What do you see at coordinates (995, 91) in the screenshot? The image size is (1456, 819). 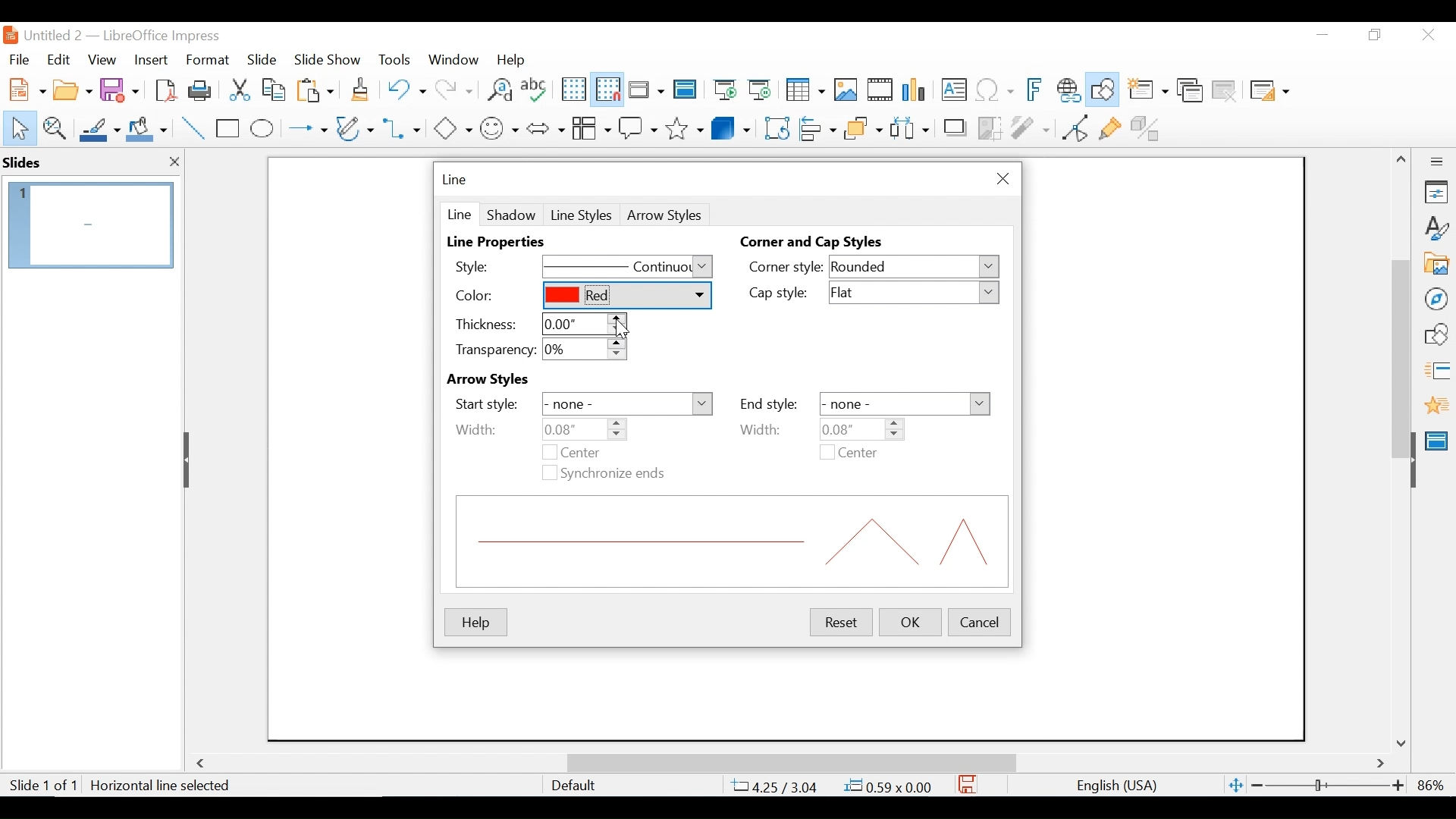 I see `Insert Special Characters` at bounding box center [995, 91].